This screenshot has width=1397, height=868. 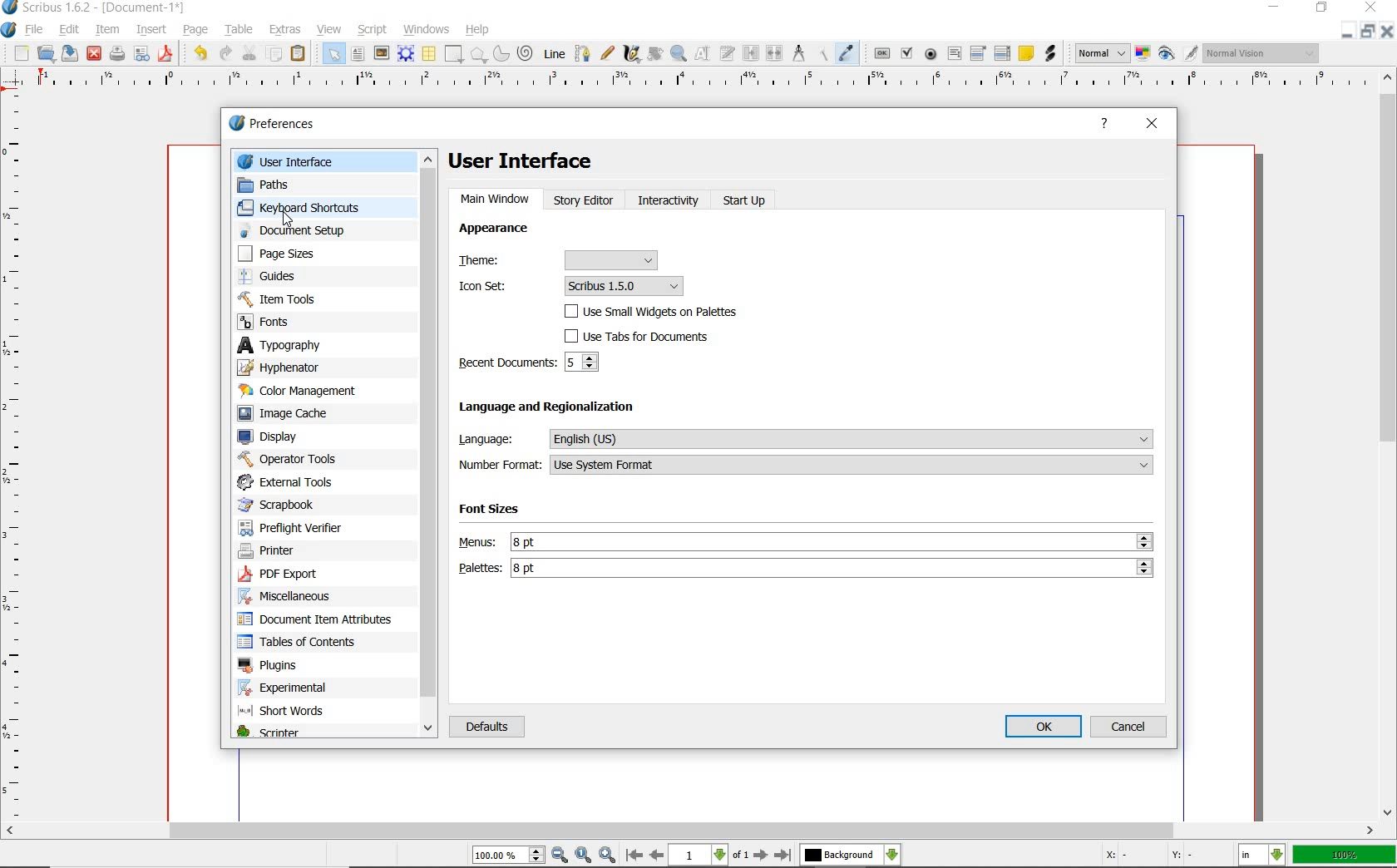 I want to click on scrapbook, so click(x=284, y=505).